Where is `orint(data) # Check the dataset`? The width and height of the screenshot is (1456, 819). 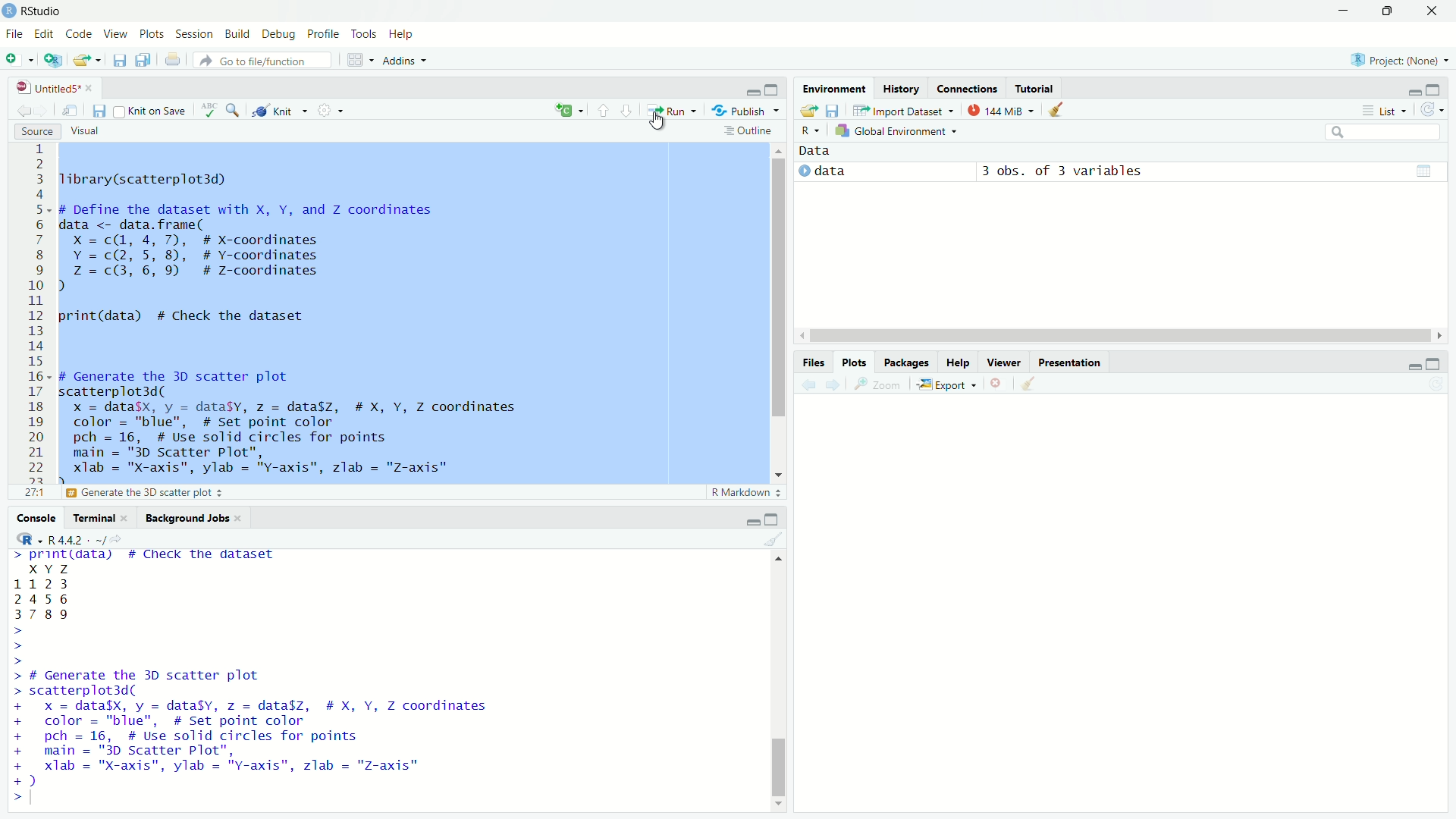 orint(data) # Check the dataset is located at coordinates (184, 317).